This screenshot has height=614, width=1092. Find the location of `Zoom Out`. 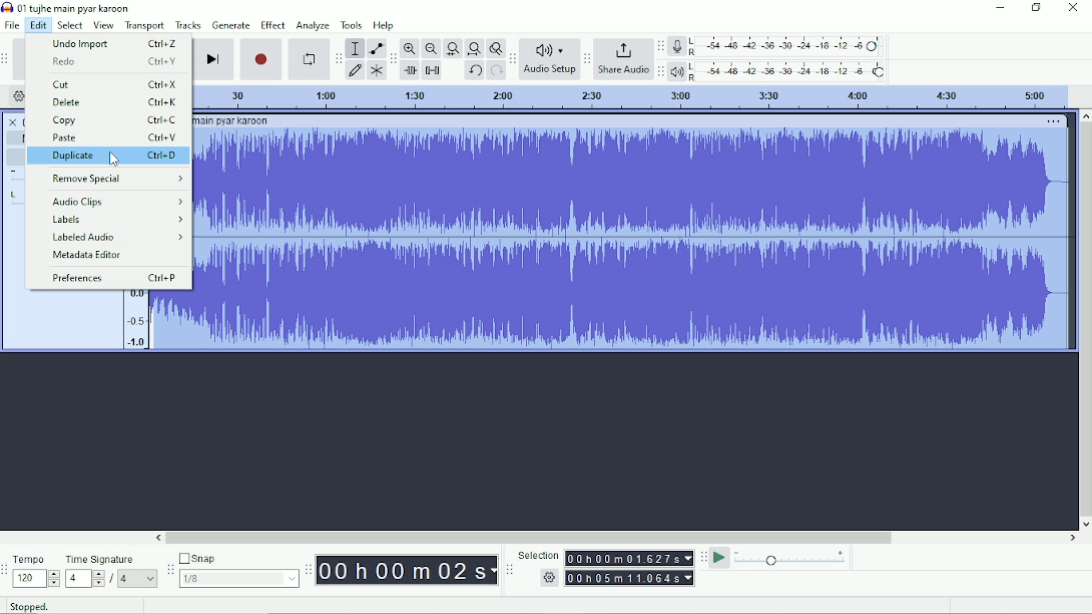

Zoom Out is located at coordinates (430, 49).